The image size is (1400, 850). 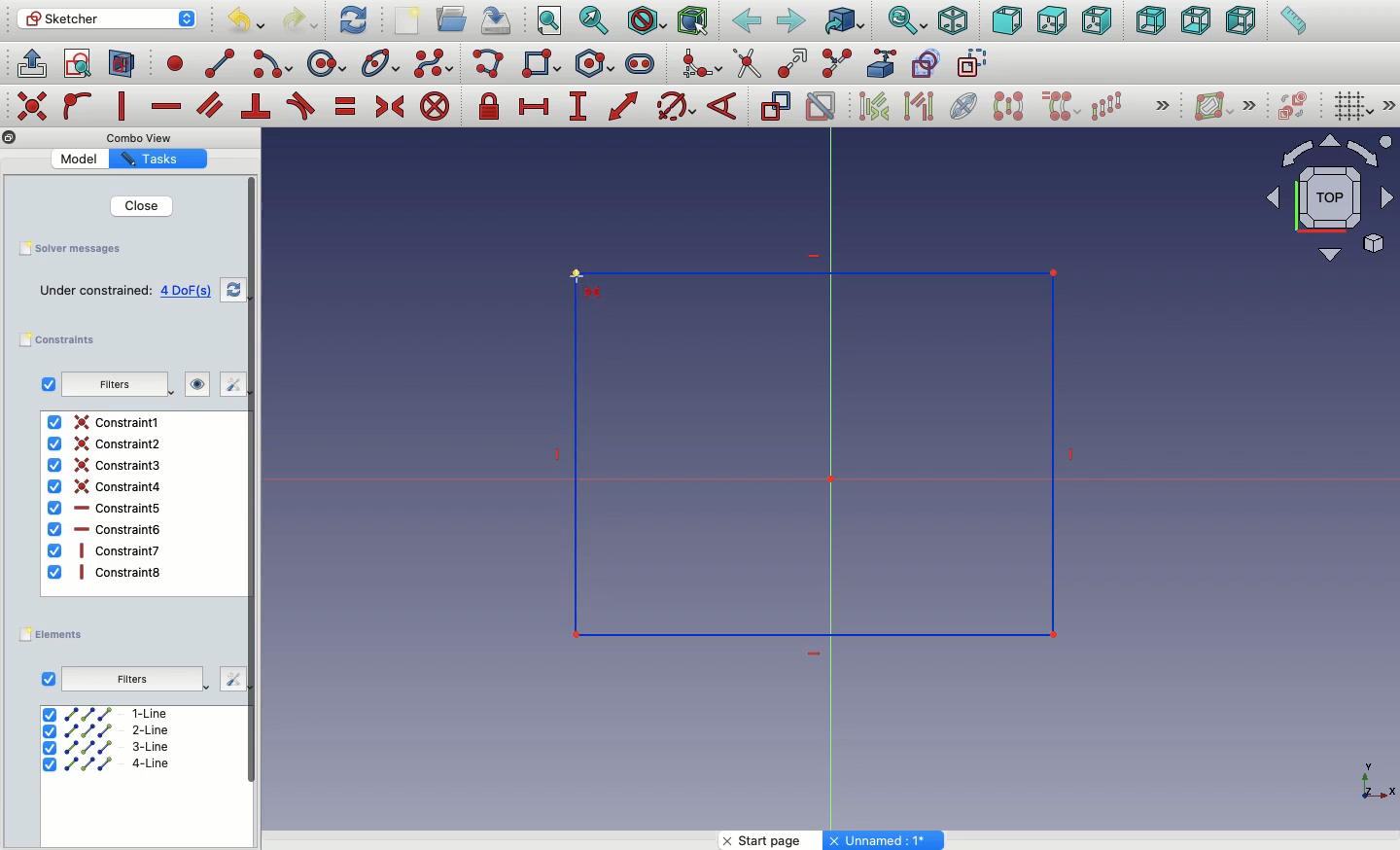 What do you see at coordinates (155, 159) in the screenshot?
I see `Tasks` at bounding box center [155, 159].